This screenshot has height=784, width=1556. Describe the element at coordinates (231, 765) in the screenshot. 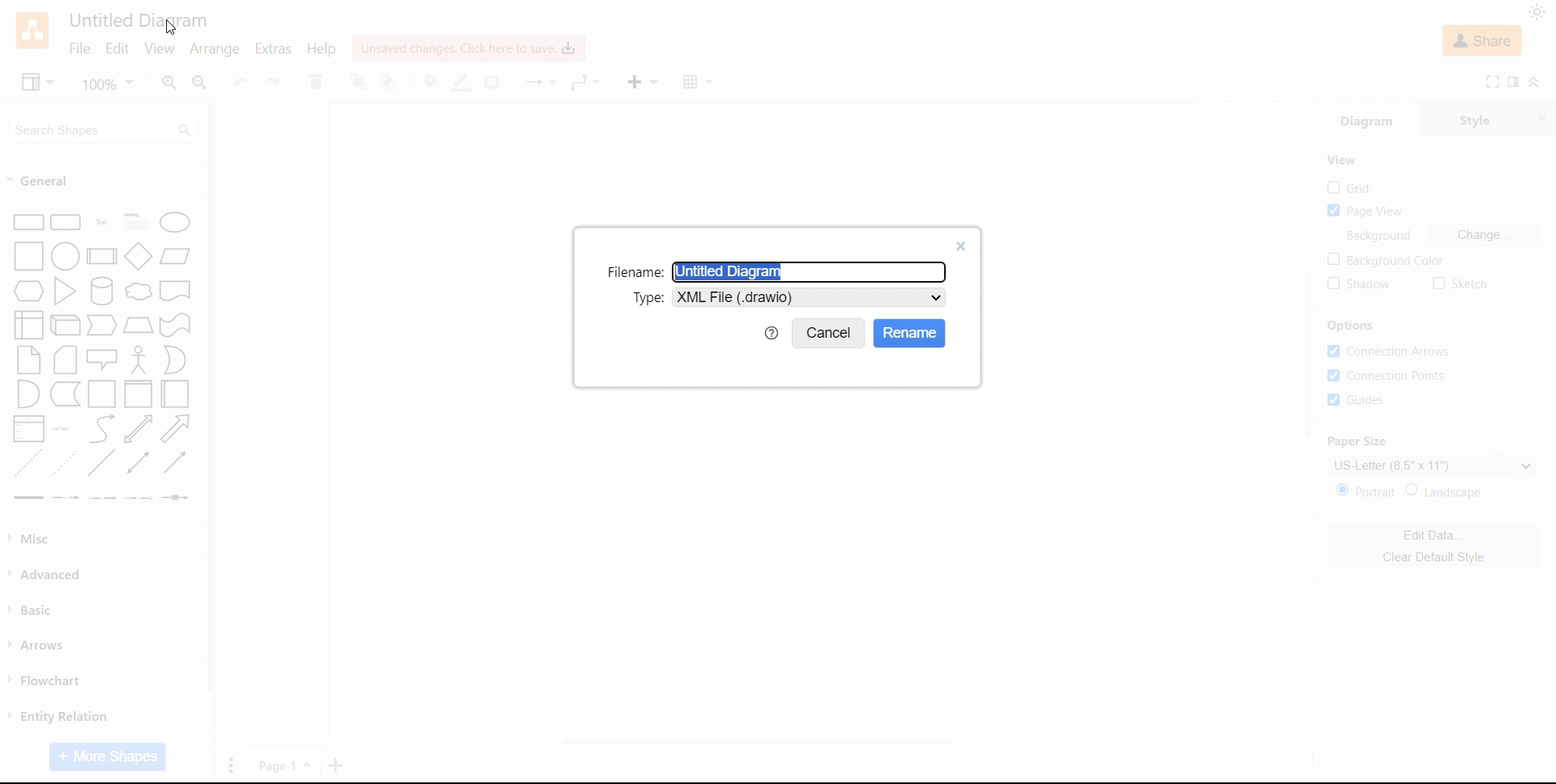

I see `Page option ` at that location.